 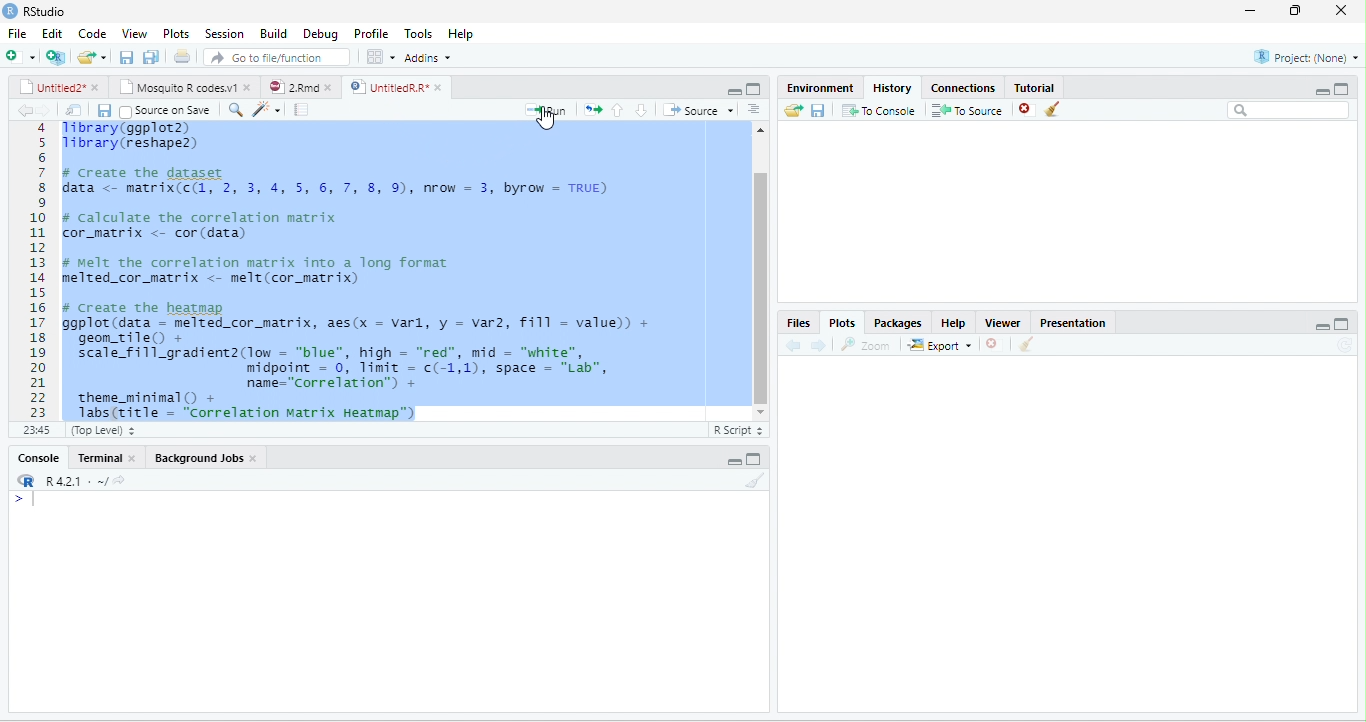 What do you see at coordinates (786, 110) in the screenshot?
I see `send file` at bounding box center [786, 110].